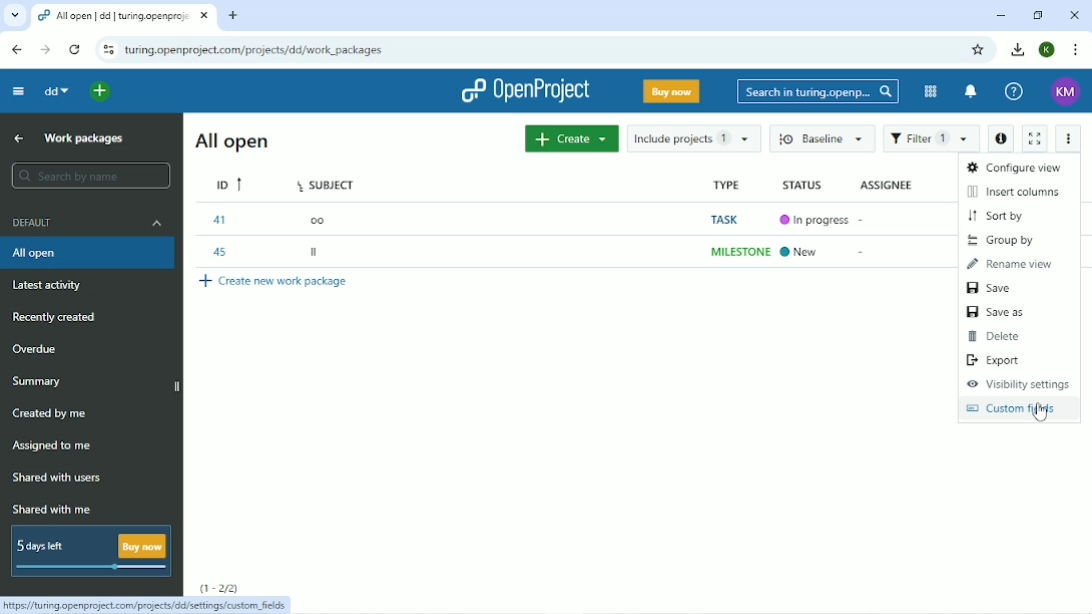  What do you see at coordinates (255, 50) in the screenshot?
I see `Site` at bounding box center [255, 50].